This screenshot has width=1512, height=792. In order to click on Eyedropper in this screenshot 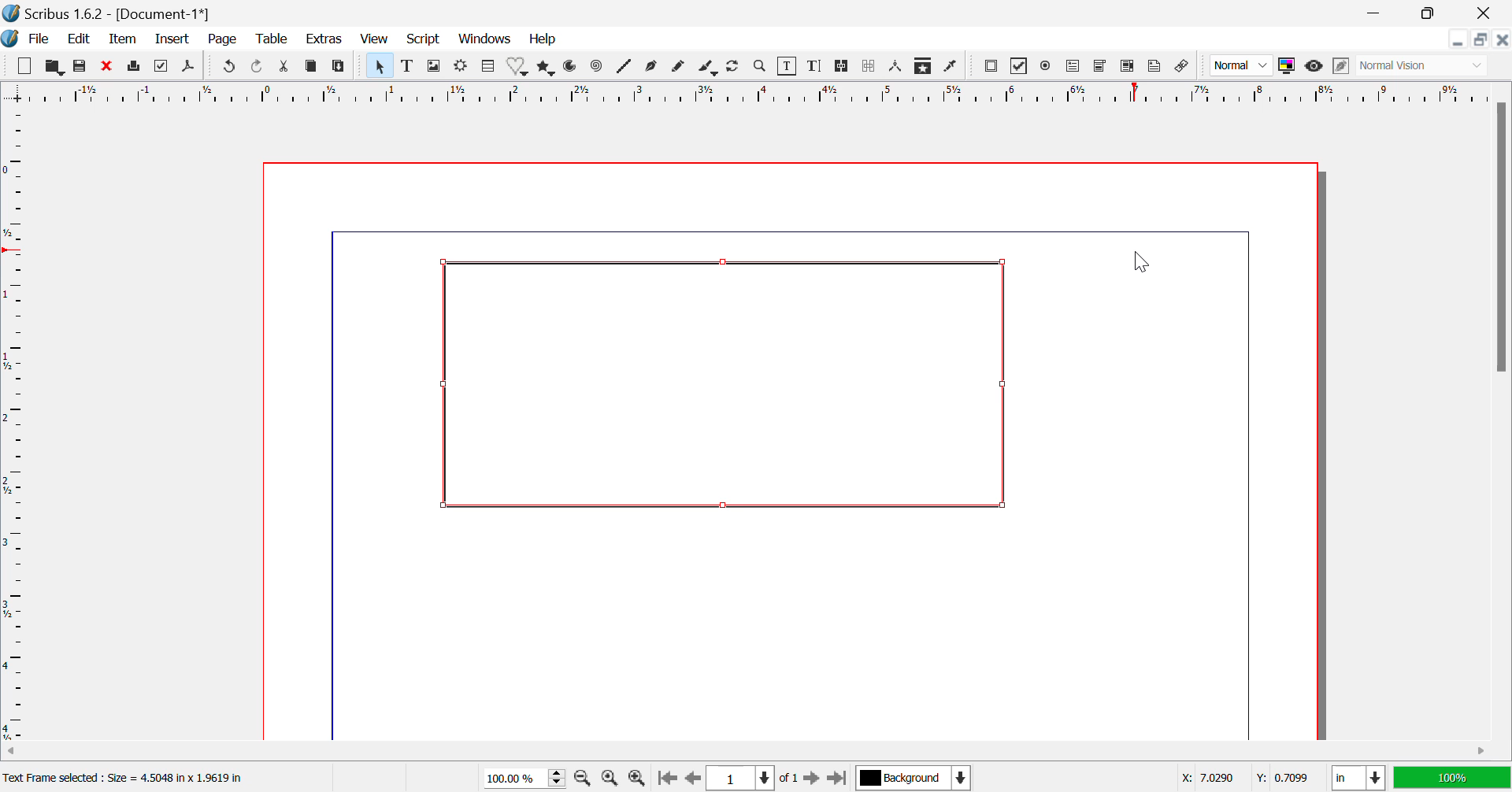, I will do `click(953, 65)`.